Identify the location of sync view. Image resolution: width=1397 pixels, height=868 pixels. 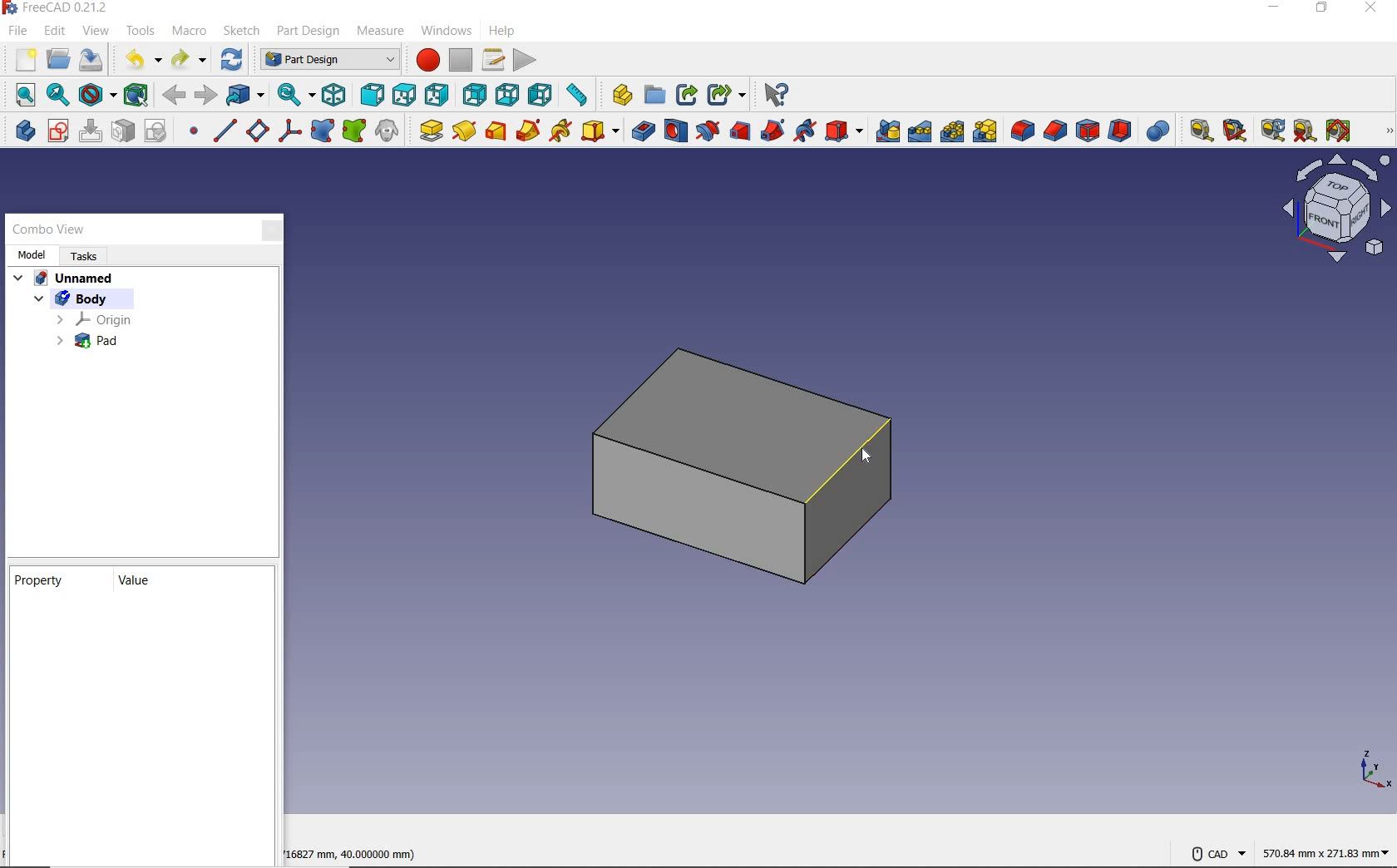
(294, 96).